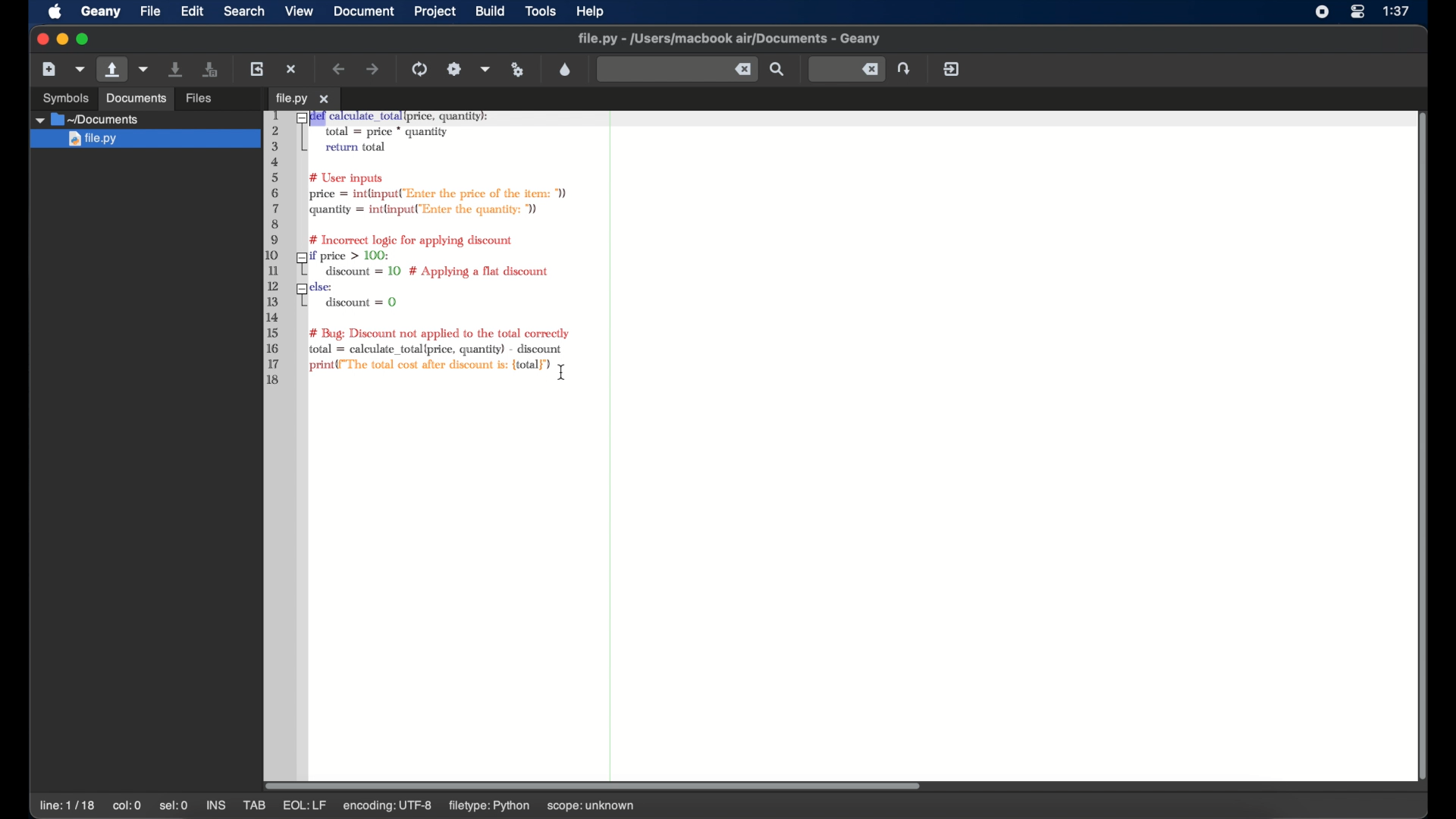 Image resolution: width=1456 pixels, height=819 pixels. Describe the element at coordinates (100, 11) in the screenshot. I see `geany` at that location.